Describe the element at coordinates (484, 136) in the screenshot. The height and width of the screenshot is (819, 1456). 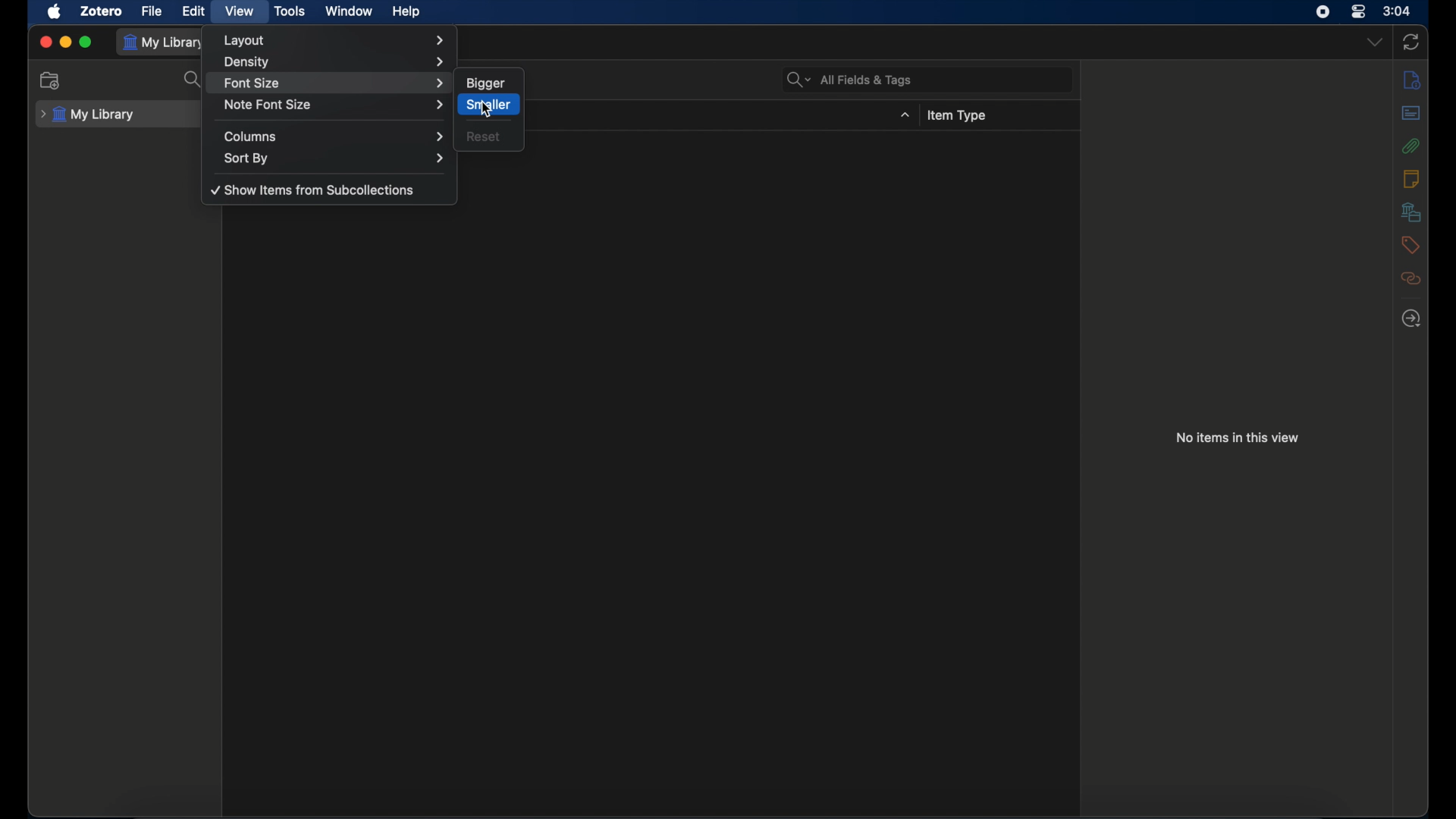
I see `reset` at that location.